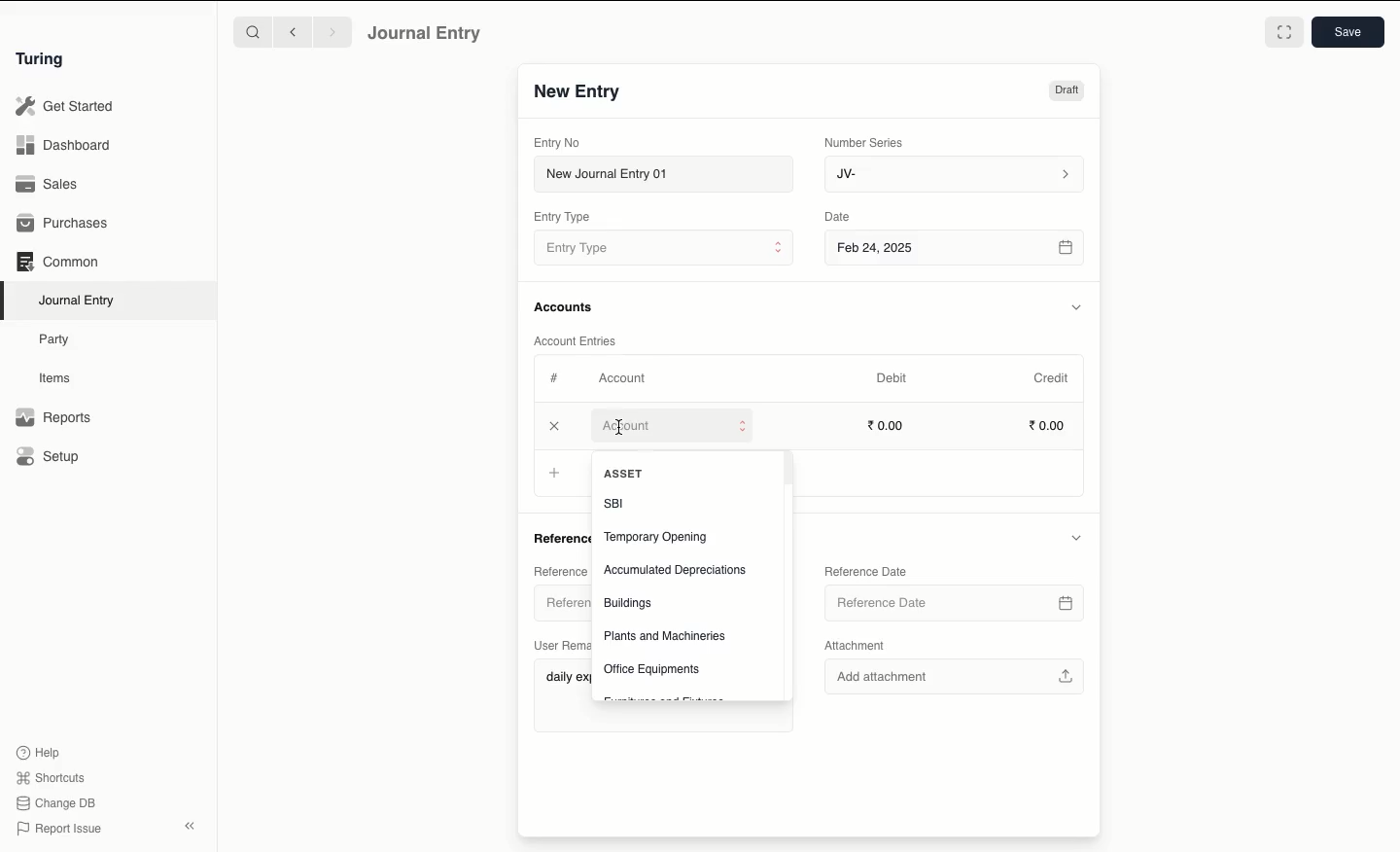 This screenshot has width=1400, height=852. What do you see at coordinates (656, 536) in the screenshot?
I see `Temporary Opening` at bounding box center [656, 536].